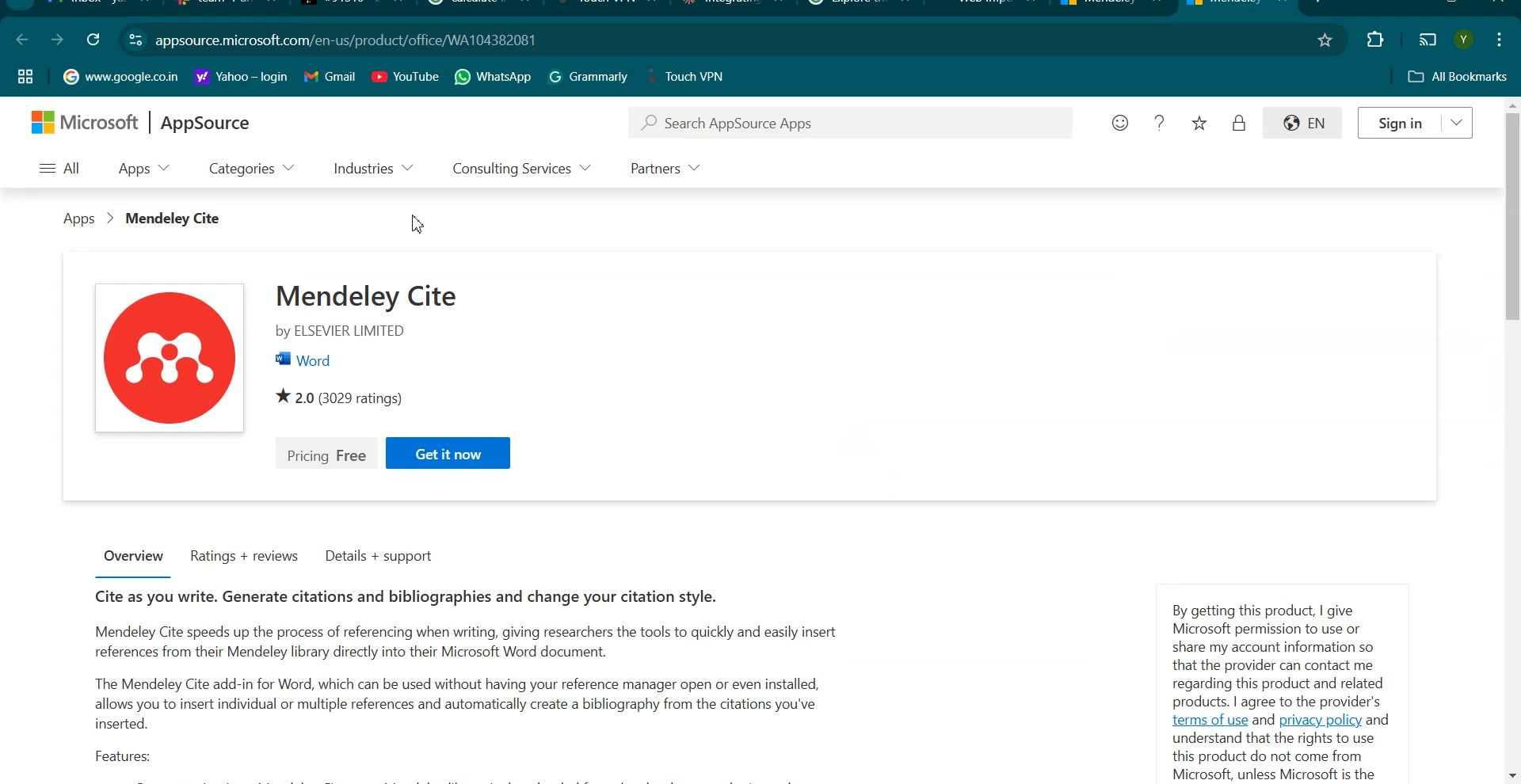  I want to click on privacy policy, so click(1319, 721).